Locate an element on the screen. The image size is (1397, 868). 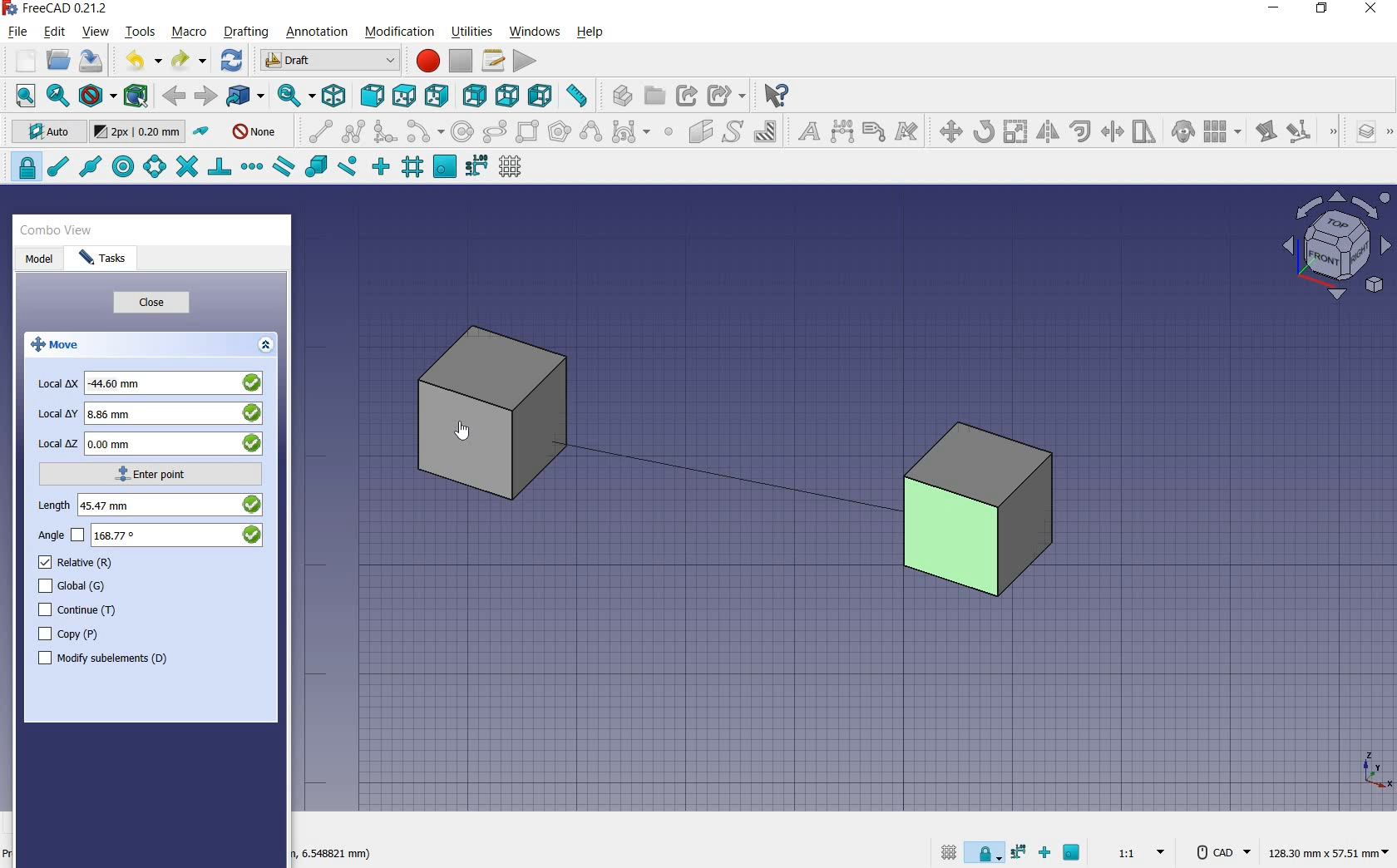
rotate is located at coordinates (985, 131).